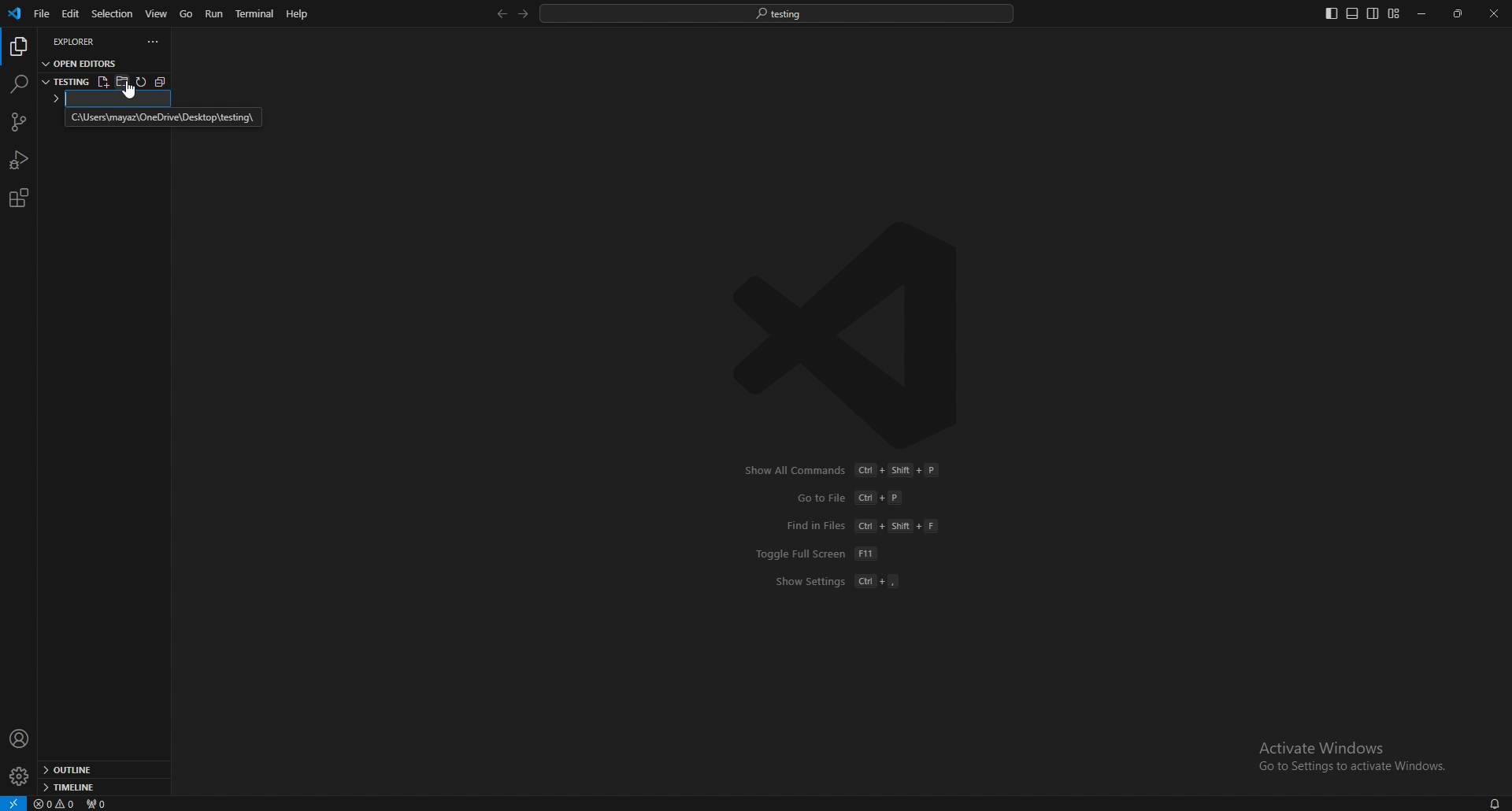 This screenshot has height=811, width=1512. Describe the element at coordinates (102, 82) in the screenshot. I see `new file` at that location.